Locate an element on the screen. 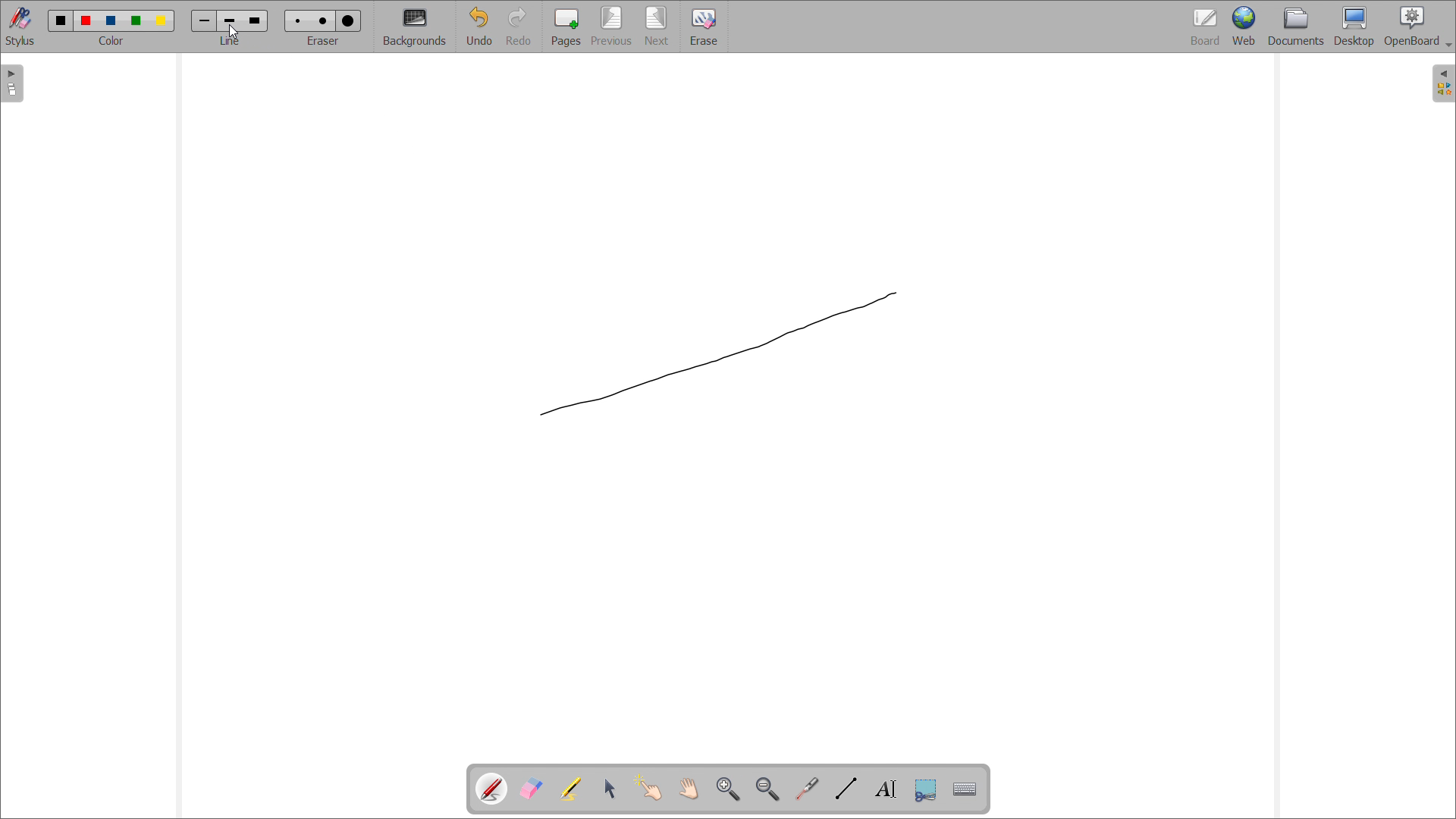  documents is located at coordinates (1296, 27).